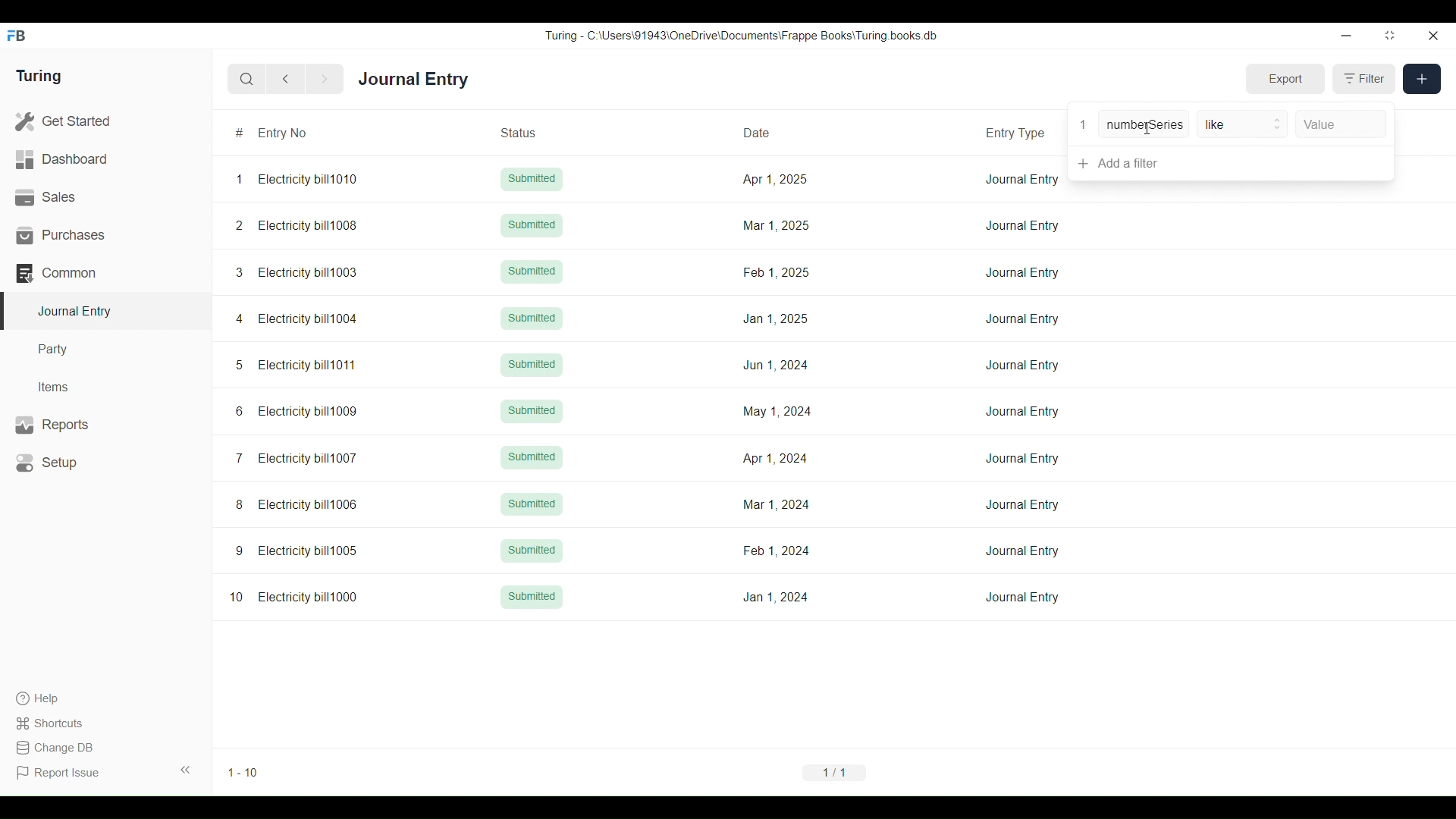 The height and width of the screenshot is (819, 1456). What do you see at coordinates (413, 78) in the screenshot?
I see `Journal Entry` at bounding box center [413, 78].